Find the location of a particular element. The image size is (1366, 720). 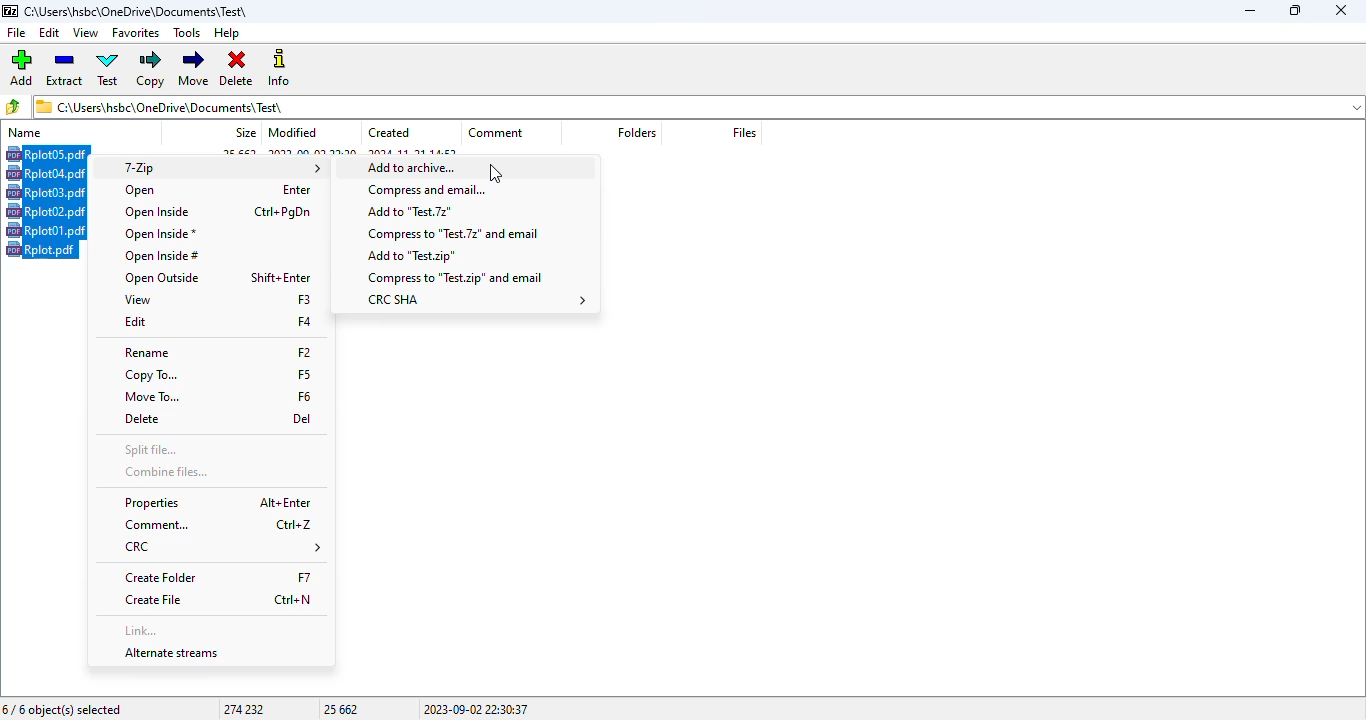

delete is located at coordinates (218, 419).